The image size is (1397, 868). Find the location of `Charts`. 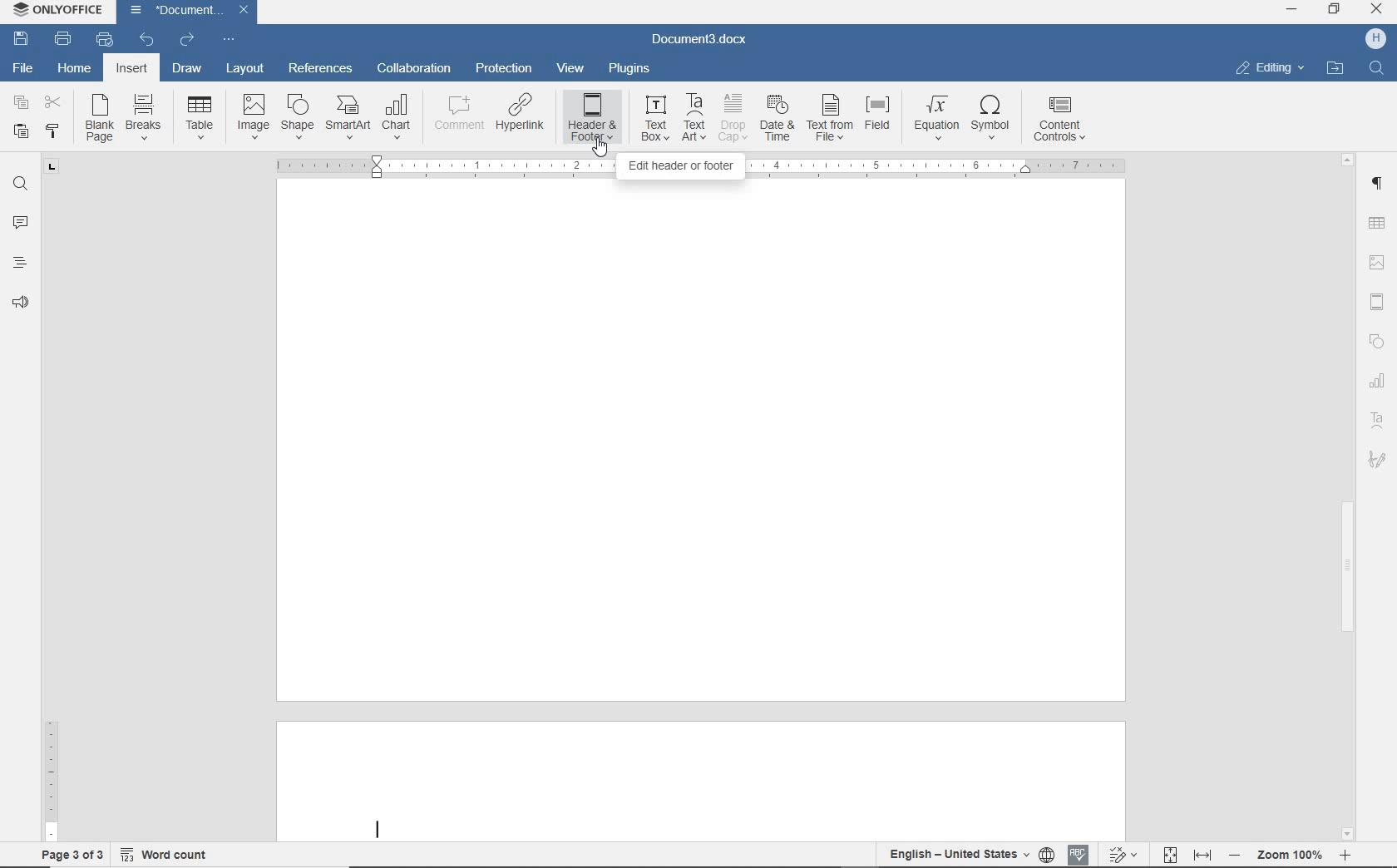

Charts is located at coordinates (1376, 377).